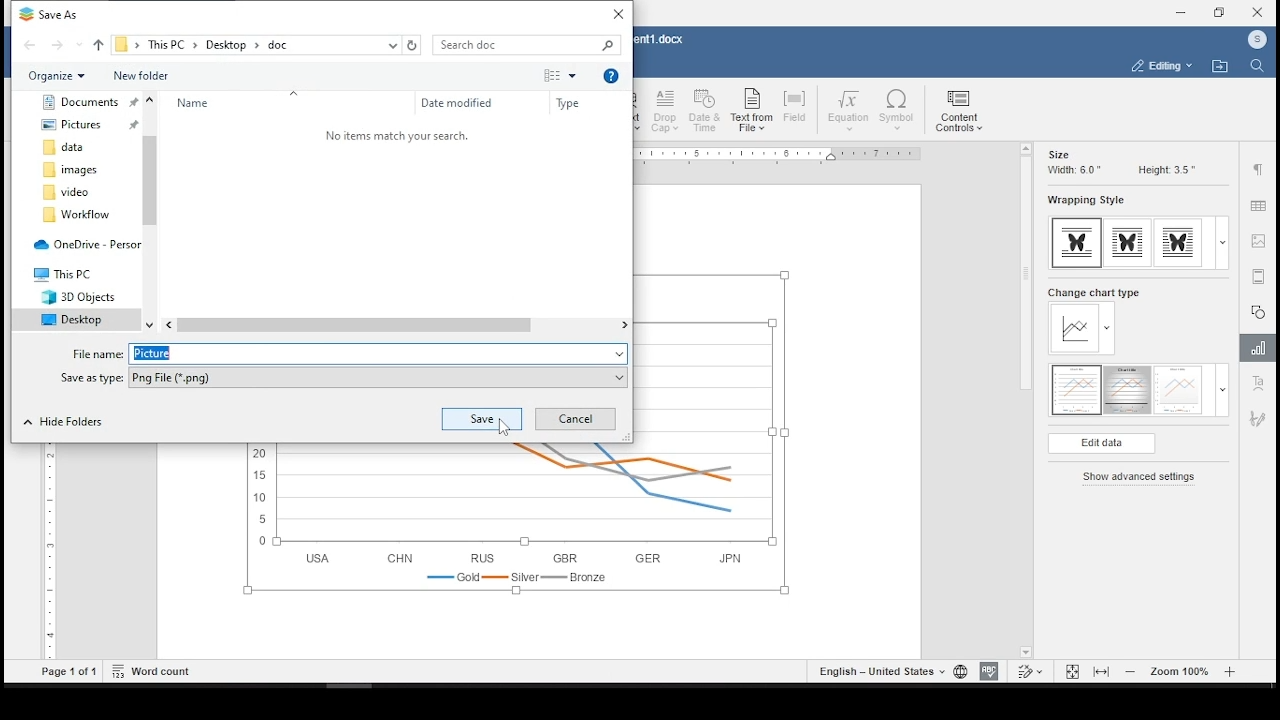 The width and height of the screenshot is (1280, 720). What do you see at coordinates (959, 671) in the screenshot?
I see `set document language` at bounding box center [959, 671].